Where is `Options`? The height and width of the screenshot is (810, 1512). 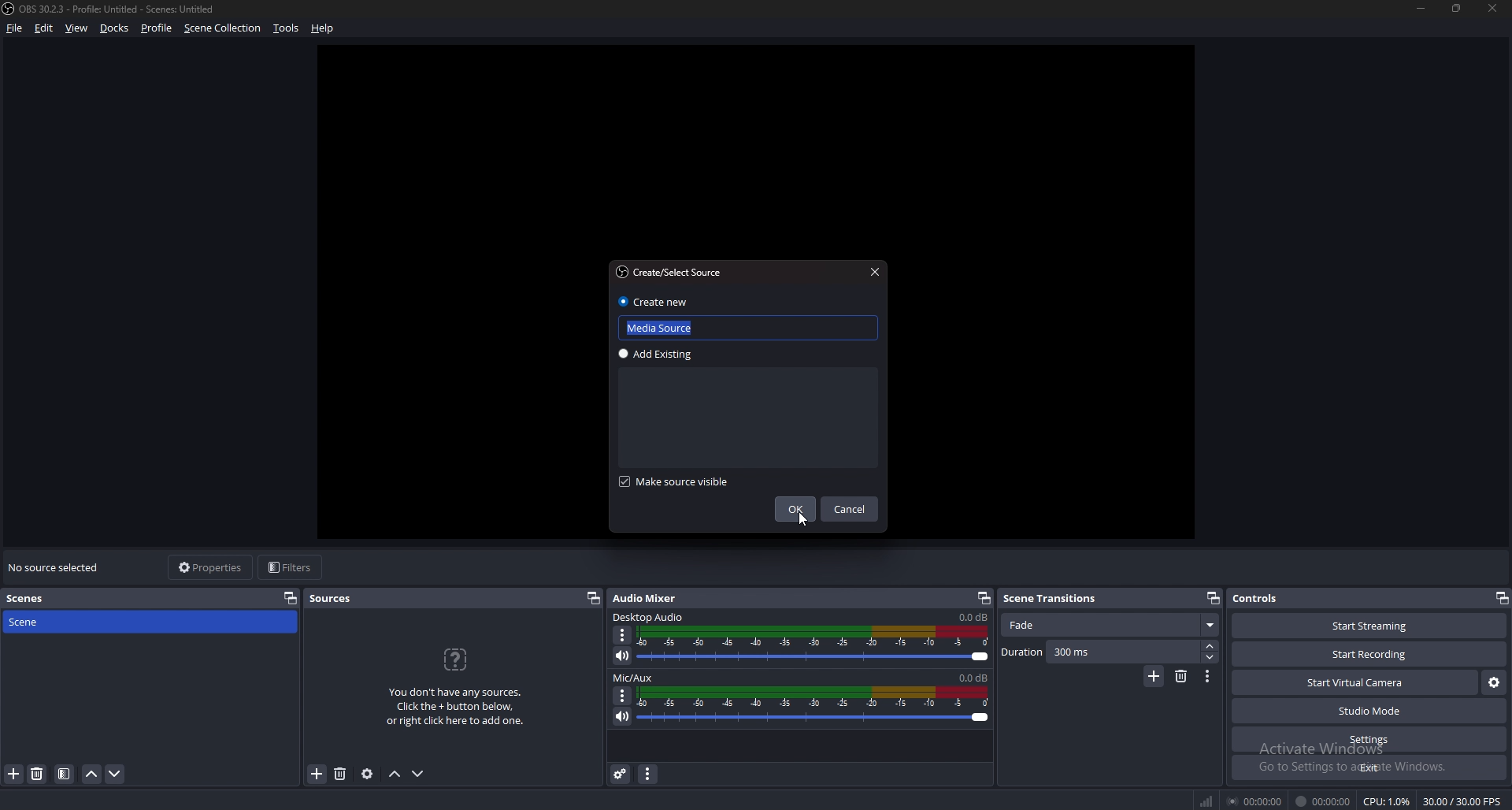
Options is located at coordinates (623, 695).